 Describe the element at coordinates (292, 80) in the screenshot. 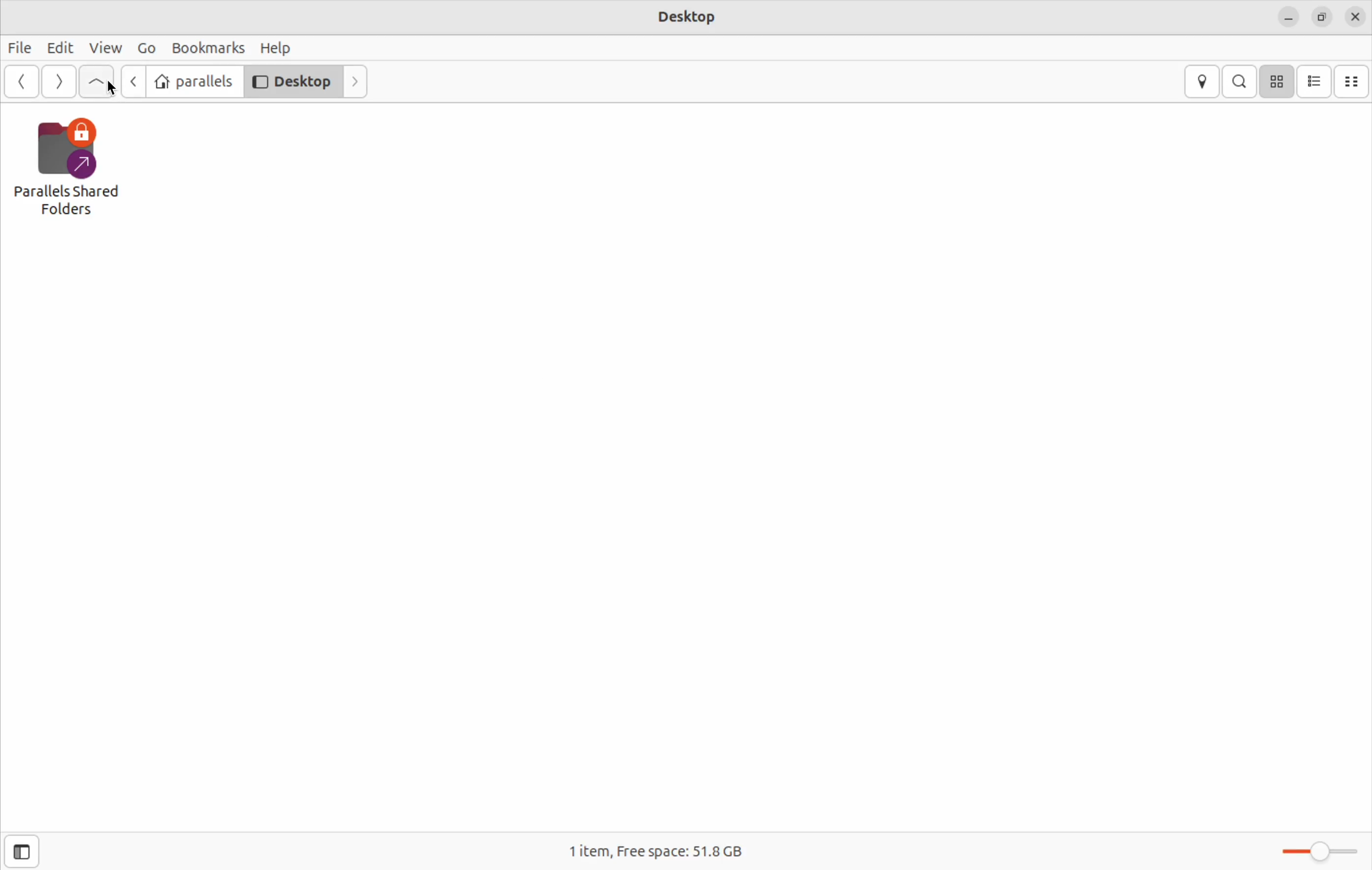

I see `desktop` at that location.